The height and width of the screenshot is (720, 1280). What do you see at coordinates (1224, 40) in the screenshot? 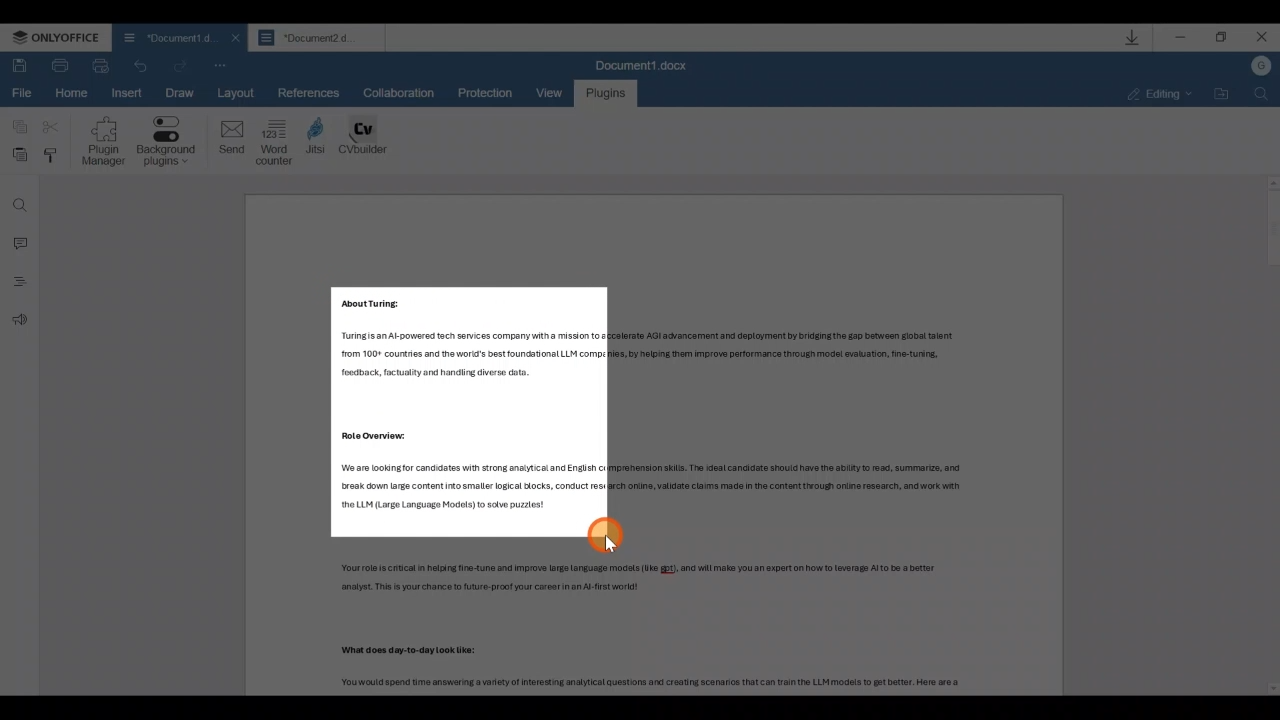
I see `Maximize` at bounding box center [1224, 40].